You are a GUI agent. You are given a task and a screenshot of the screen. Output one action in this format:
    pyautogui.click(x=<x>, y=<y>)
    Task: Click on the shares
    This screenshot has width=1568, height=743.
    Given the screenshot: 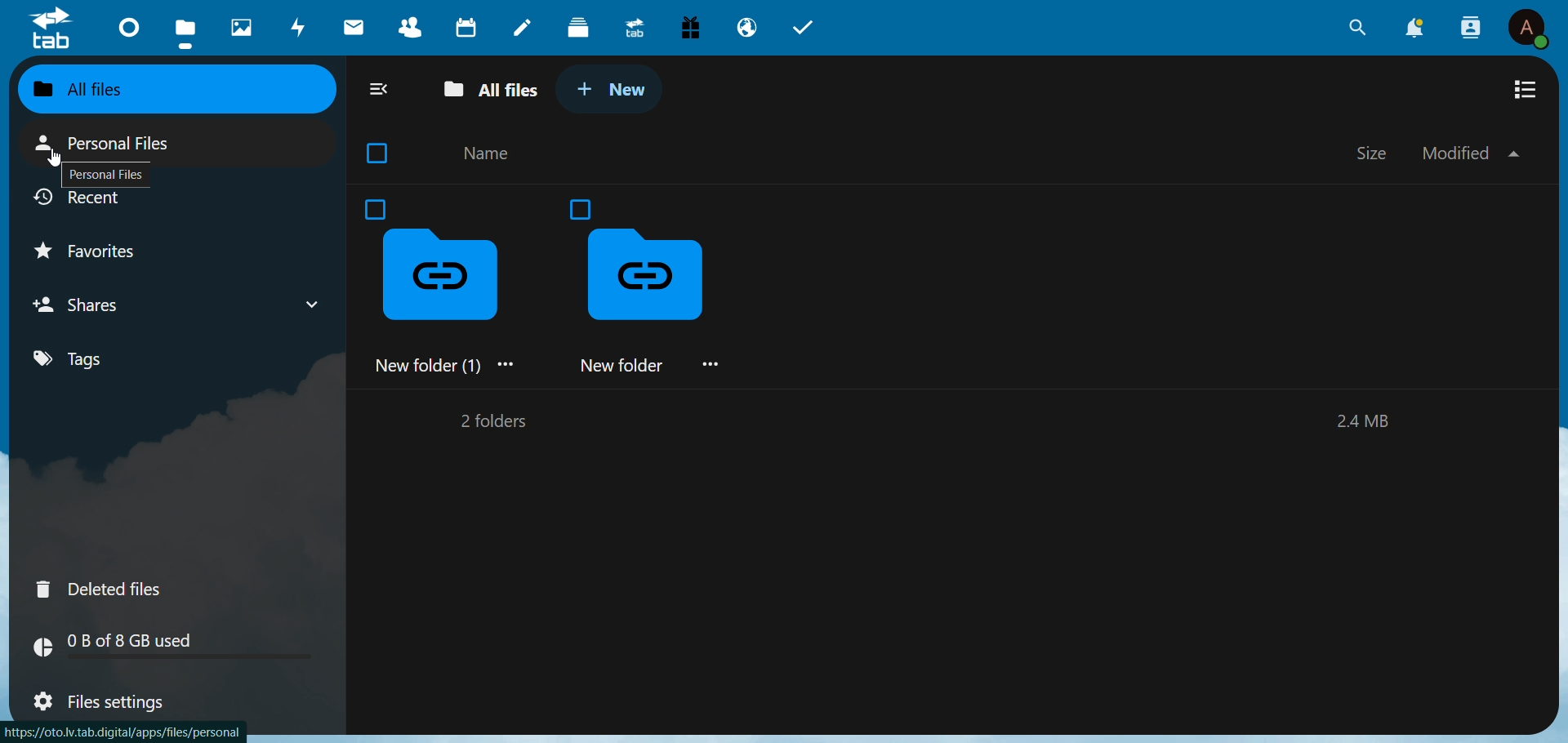 What is the action you would take?
    pyautogui.click(x=93, y=305)
    